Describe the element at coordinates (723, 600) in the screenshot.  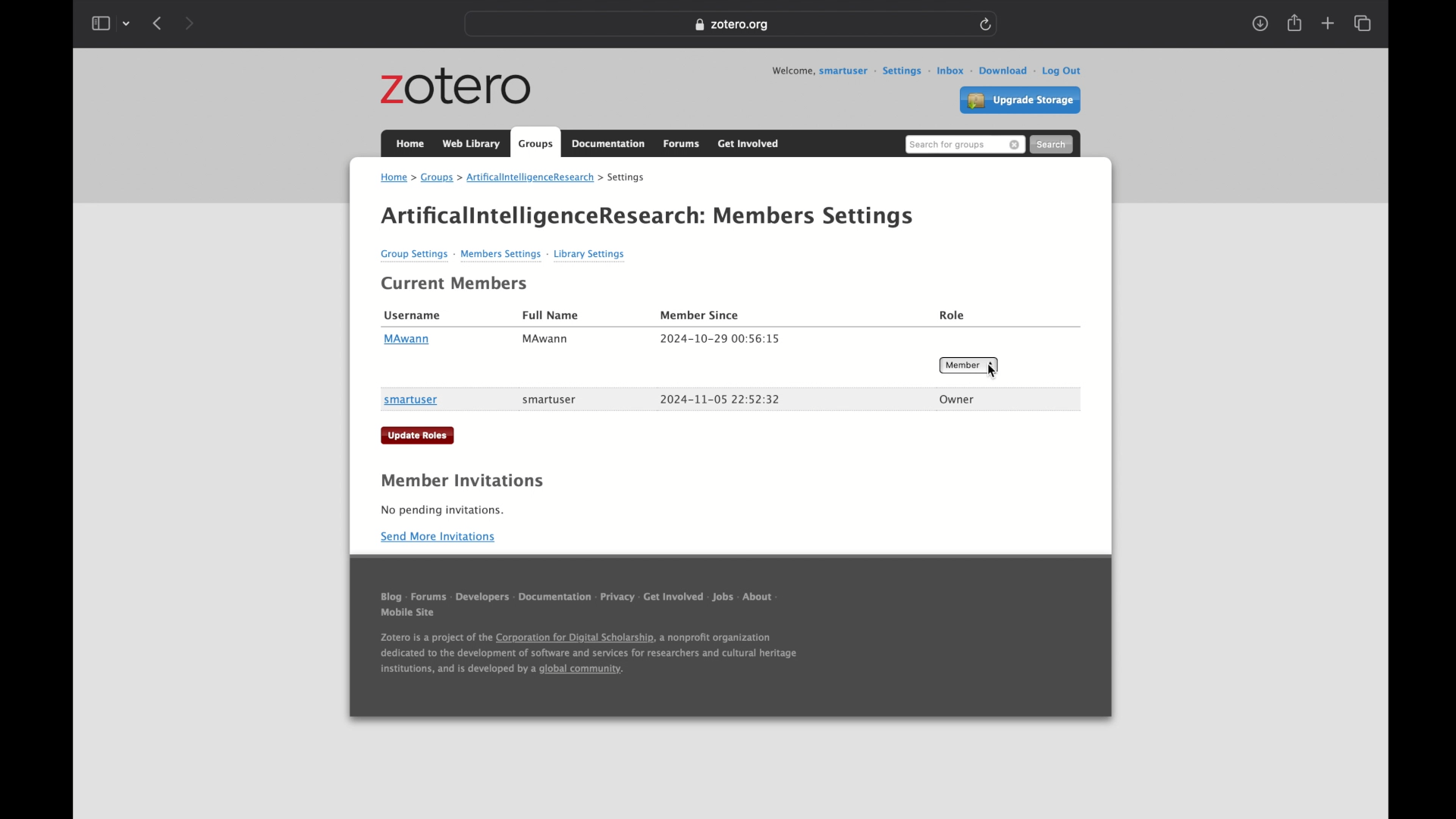
I see `jobs` at that location.